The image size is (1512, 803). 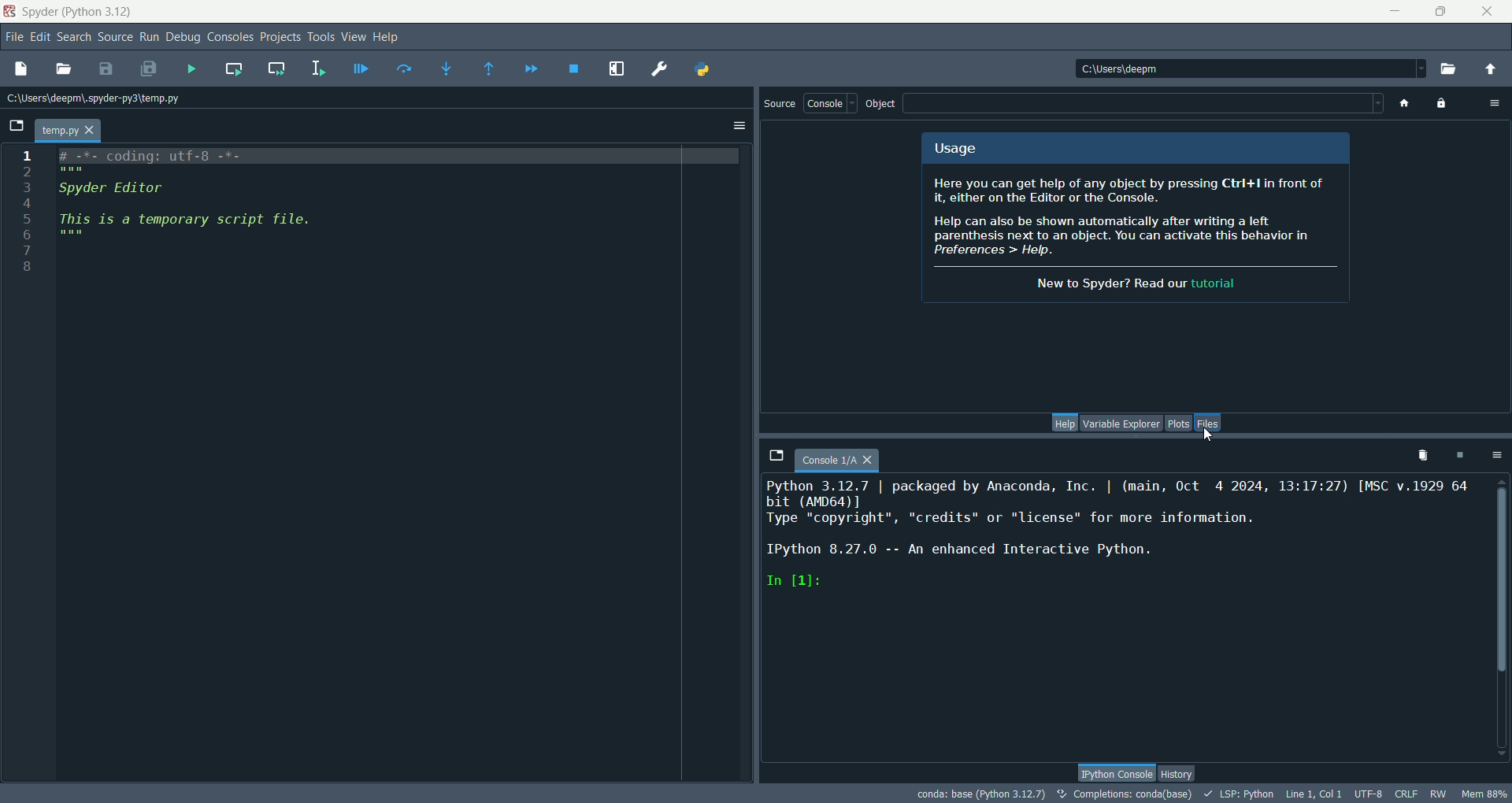 I want to click on run selection, so click(x=320, y=68).